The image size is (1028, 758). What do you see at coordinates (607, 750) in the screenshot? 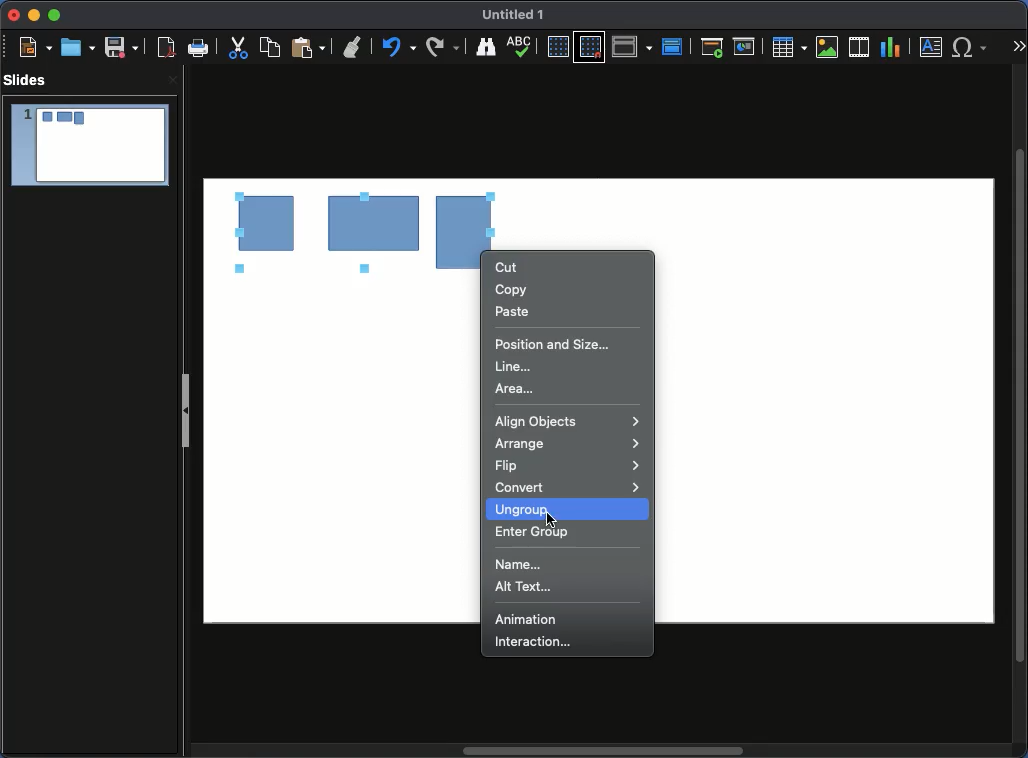
I see `Scroll bar` at bounding box center [607, 750].